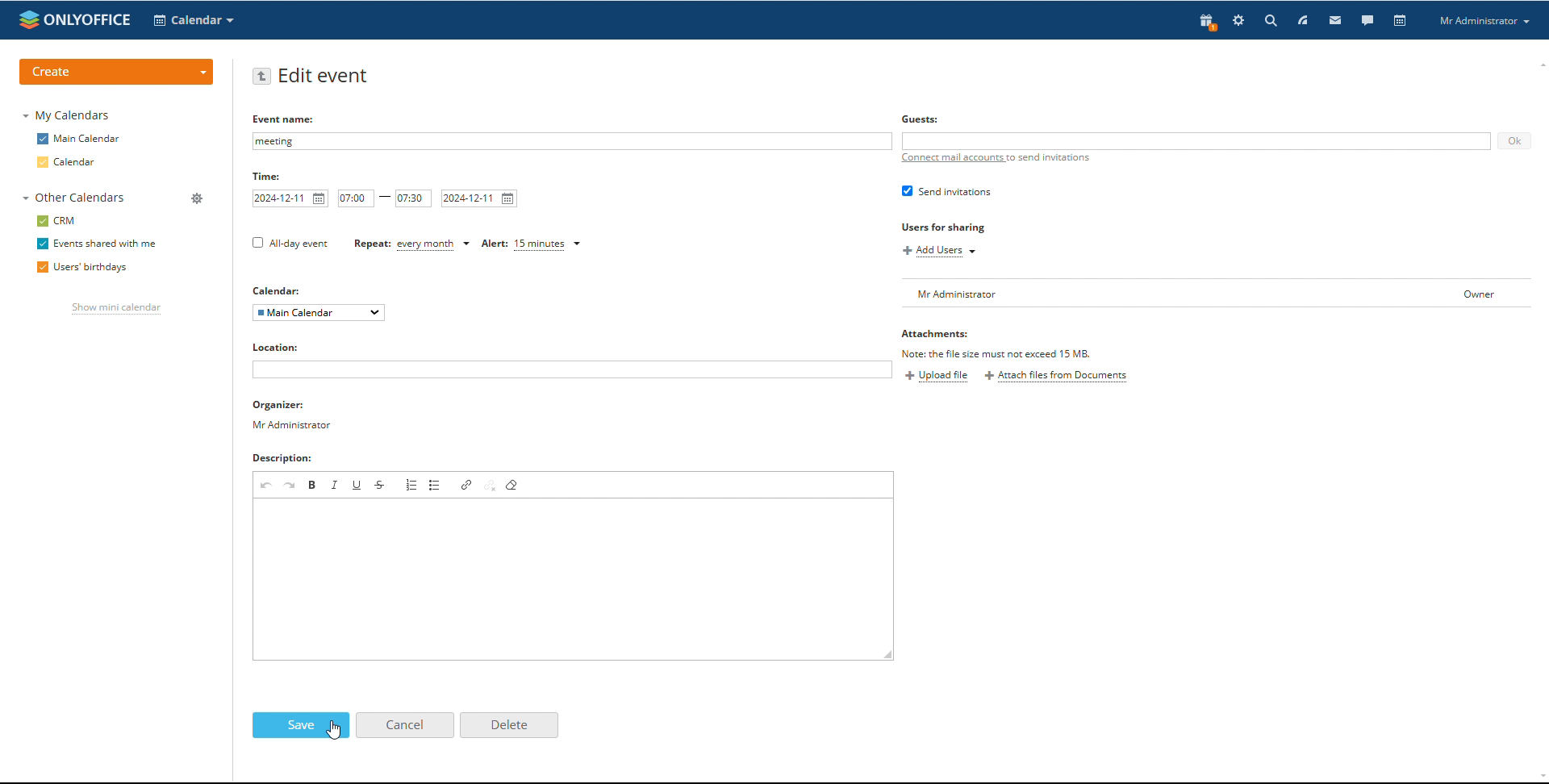 The image size is (1549, 784). What do you see at coordinates (286, 119) in the screenshot?
I see `event name` at bounding box center [286, 119].